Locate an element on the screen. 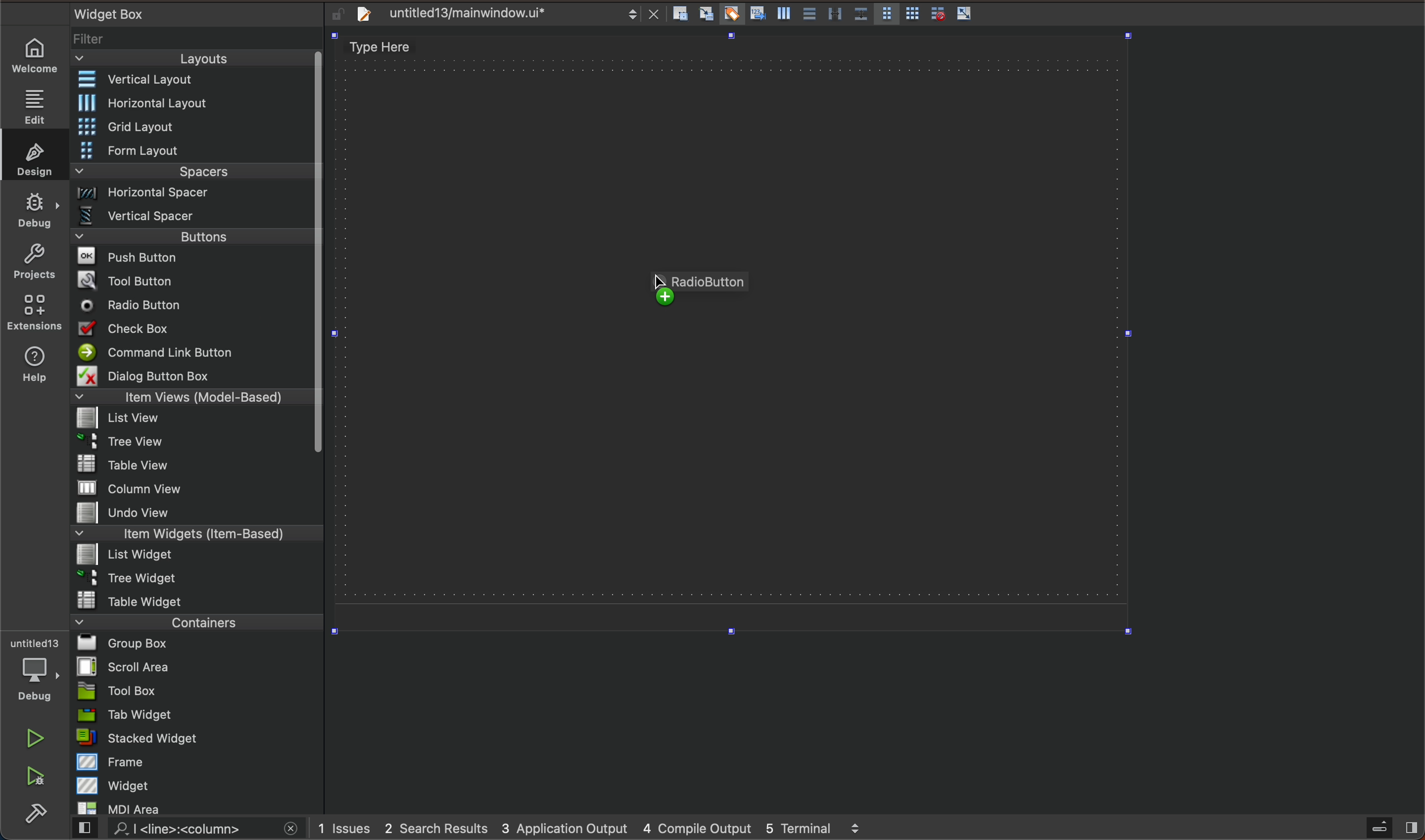 This screenshot has width=1425, height=840. vertical spacer is located at coordinates (192, 218).